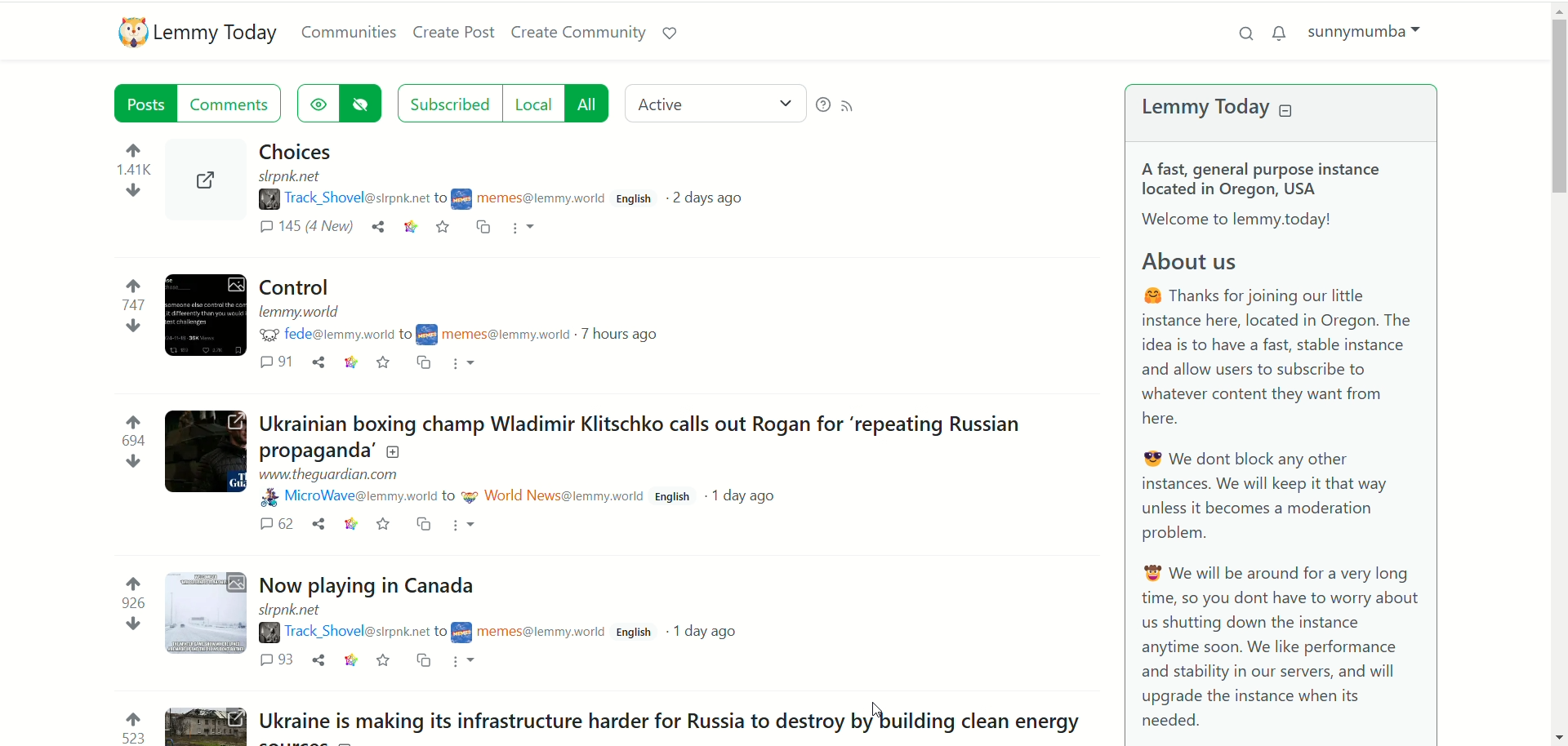 This screenshot has height=746, width=1568. What do you see at coordinates (632, 633) in the screenshot?
I see `english` at bounding box center [632, 633].